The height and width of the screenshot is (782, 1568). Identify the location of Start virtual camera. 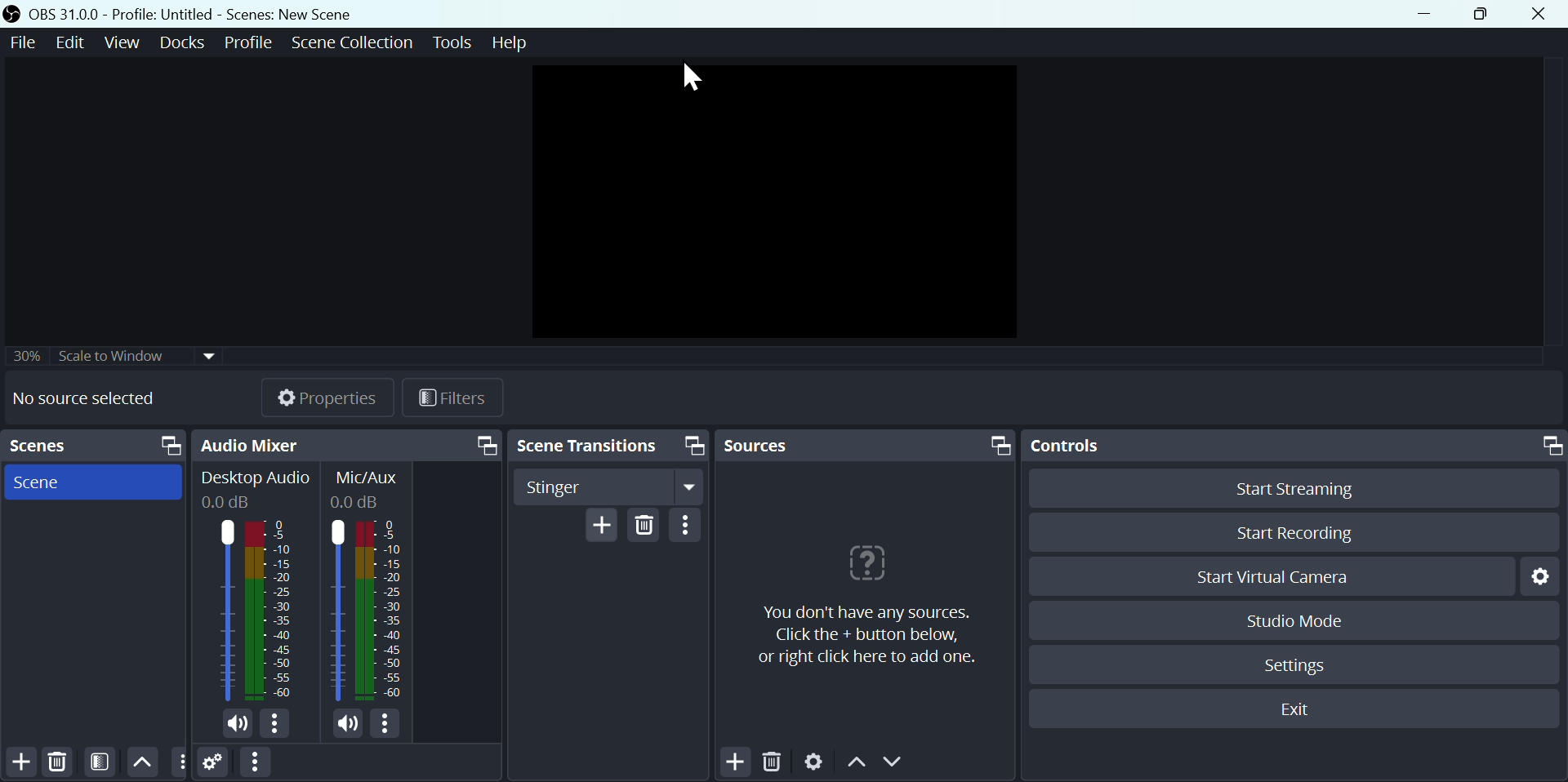
(1269, 576).